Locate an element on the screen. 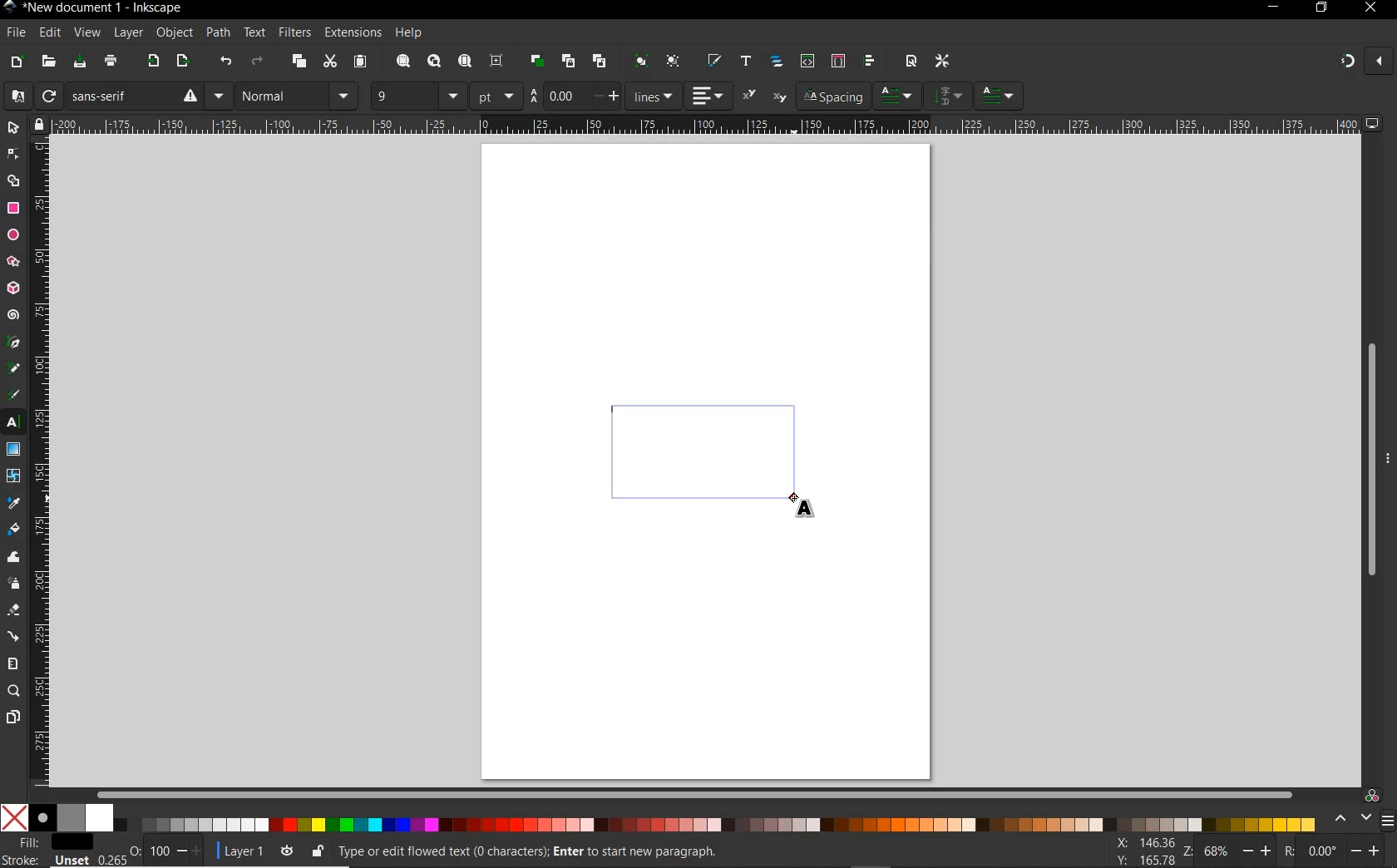  print is located at coordinates (111, 62).